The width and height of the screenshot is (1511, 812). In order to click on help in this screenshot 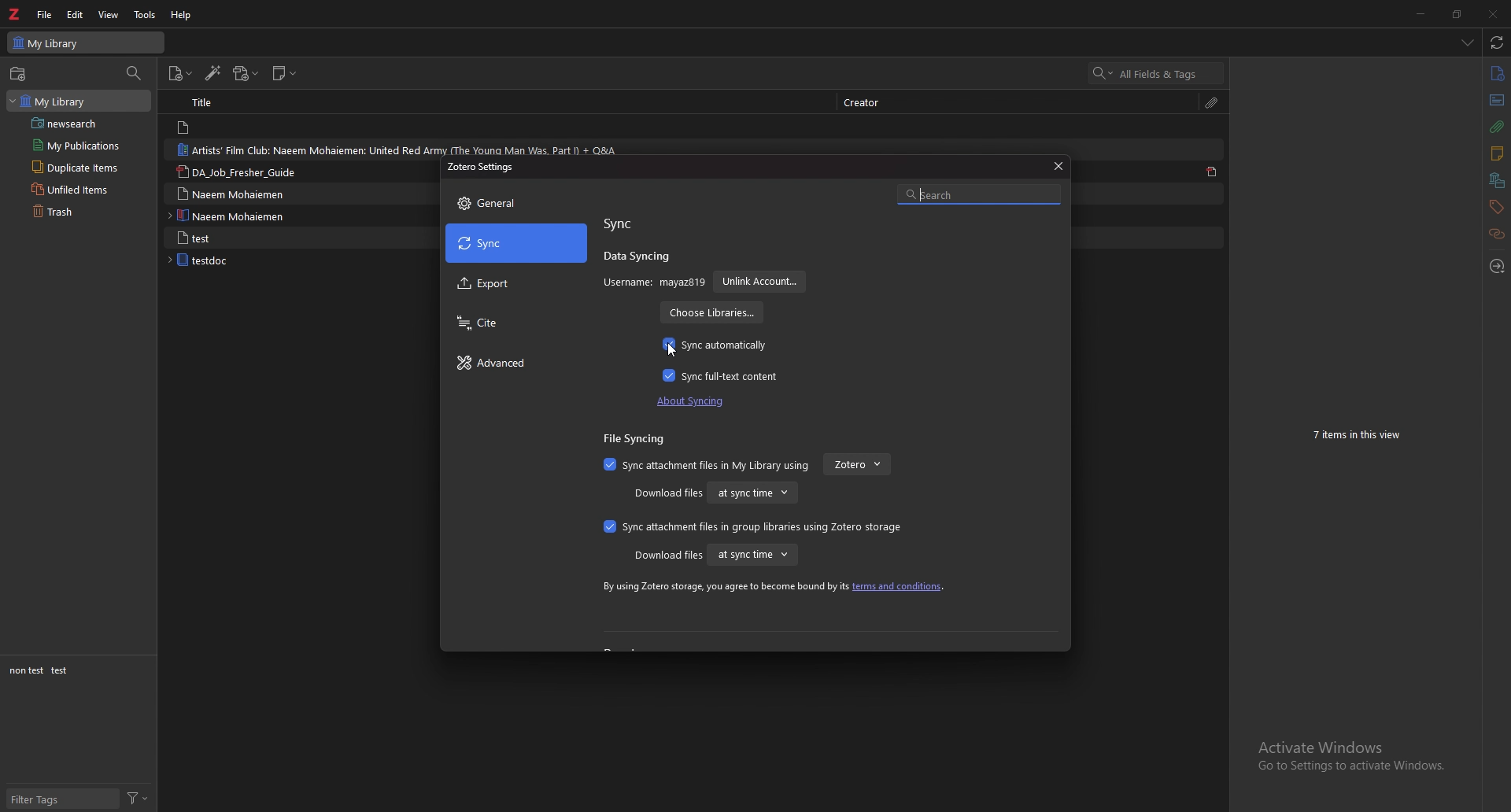, I will do `click(183, 14)`.